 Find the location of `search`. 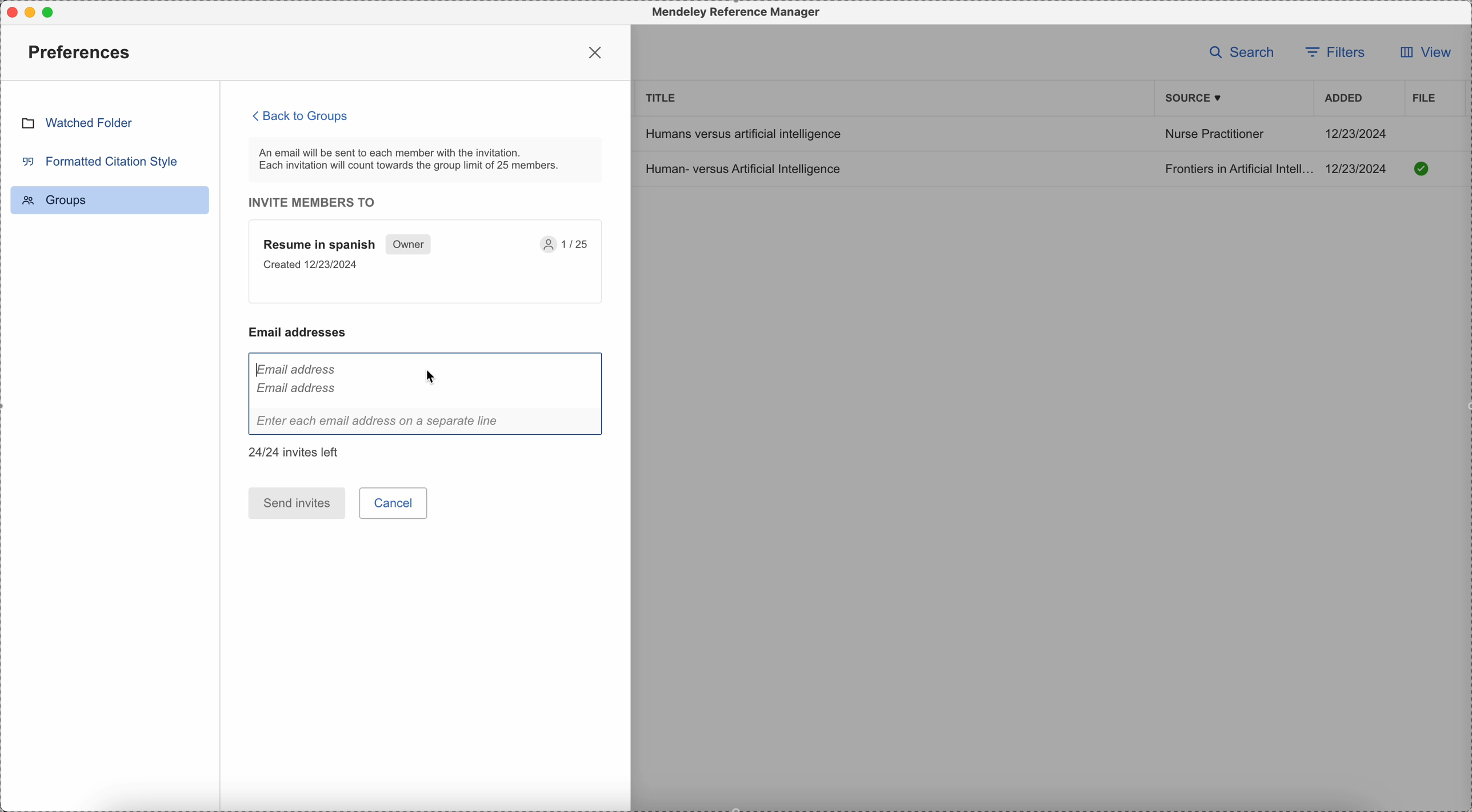

search is located at coordinates (1242, 51).